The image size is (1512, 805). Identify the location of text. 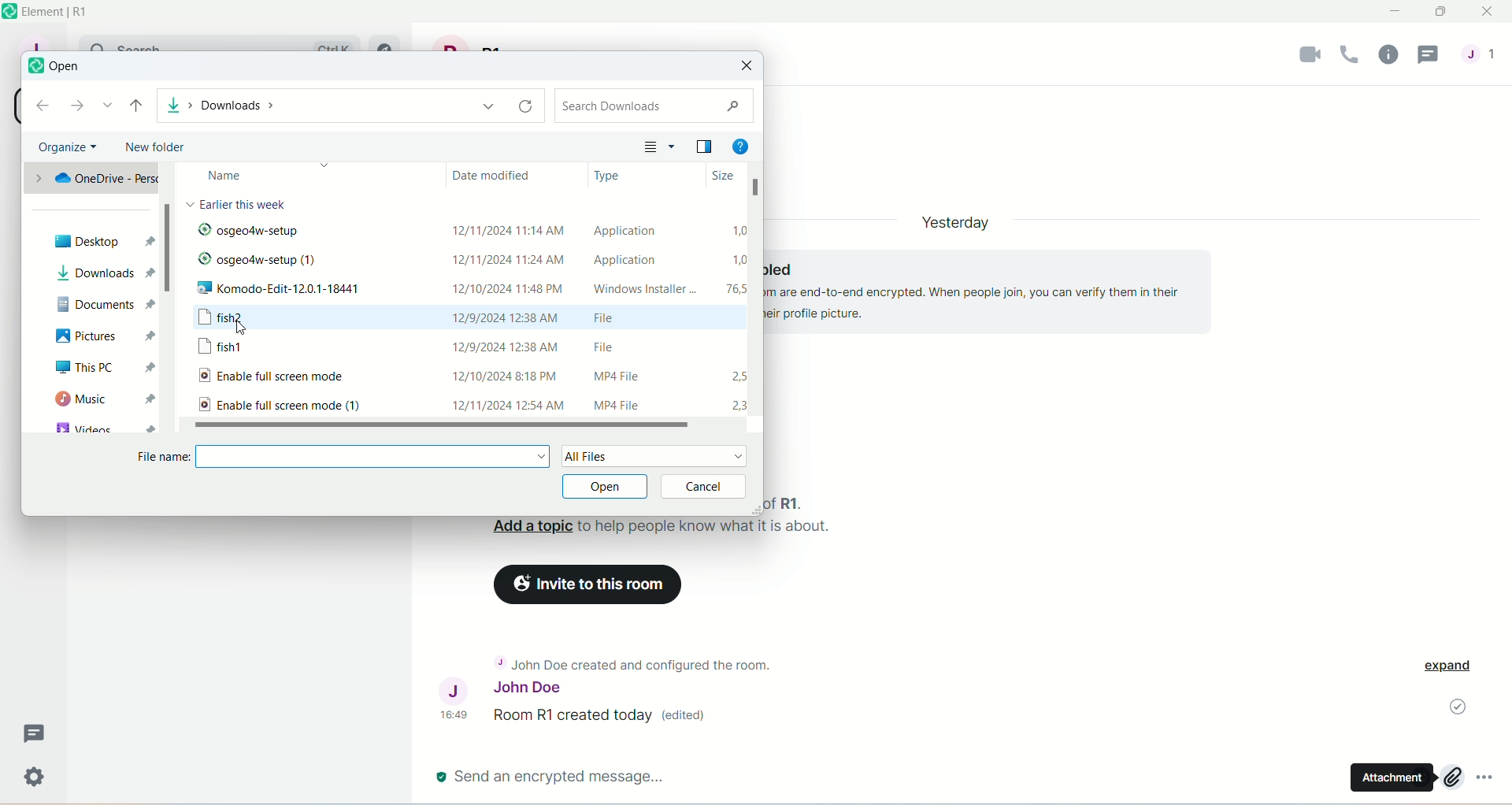
(243, 204).